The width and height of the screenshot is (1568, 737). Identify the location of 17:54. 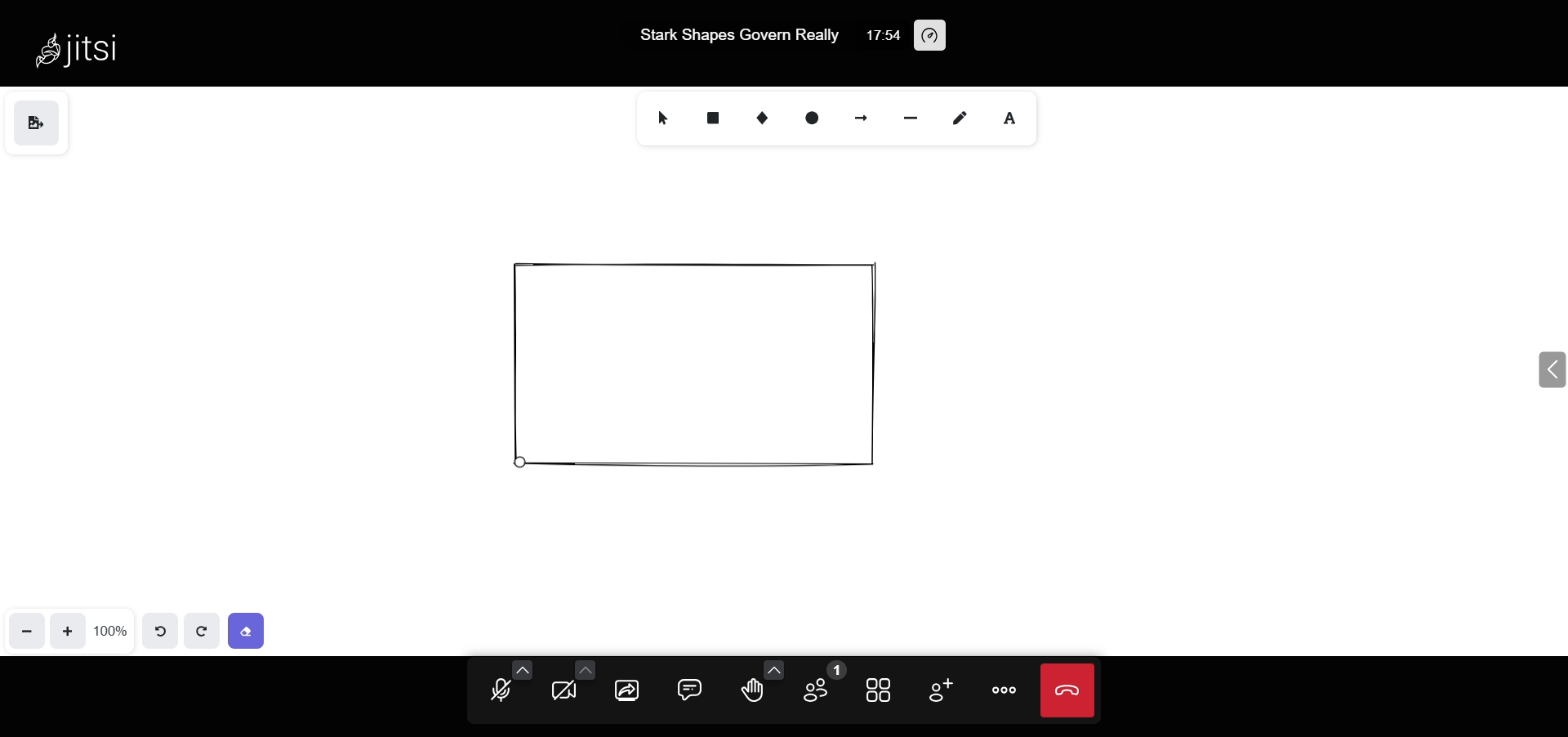
(884, 33).